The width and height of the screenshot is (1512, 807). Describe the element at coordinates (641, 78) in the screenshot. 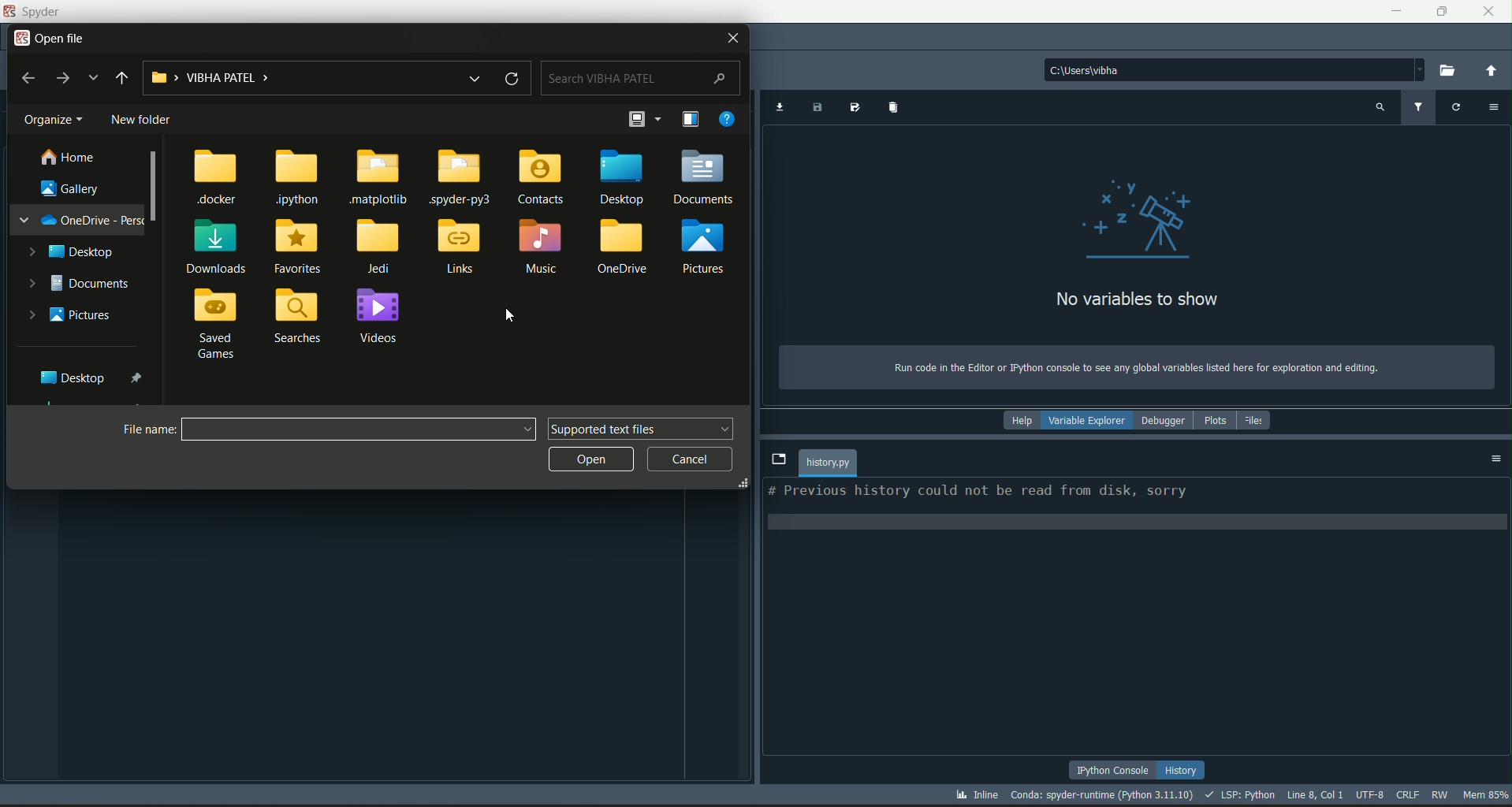

I see `search bar` at that location.